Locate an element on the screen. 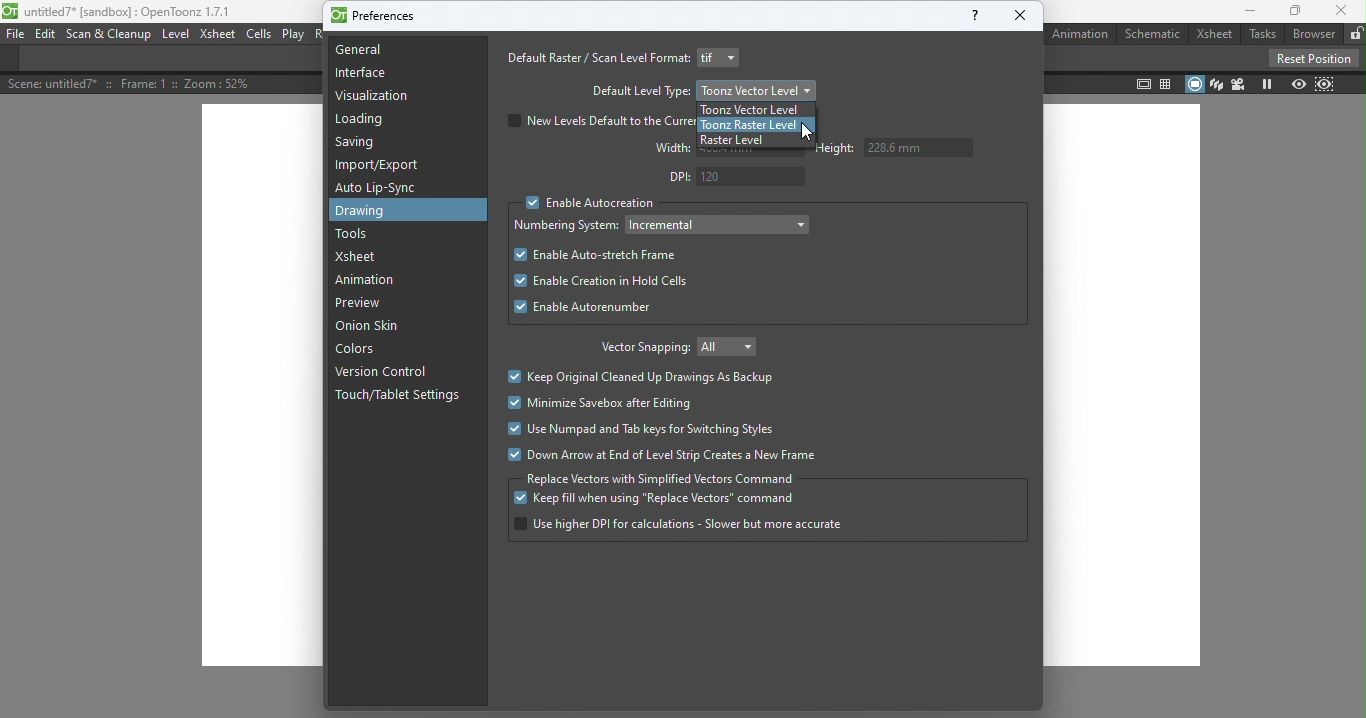  Width is located at coordinates (665, 151).